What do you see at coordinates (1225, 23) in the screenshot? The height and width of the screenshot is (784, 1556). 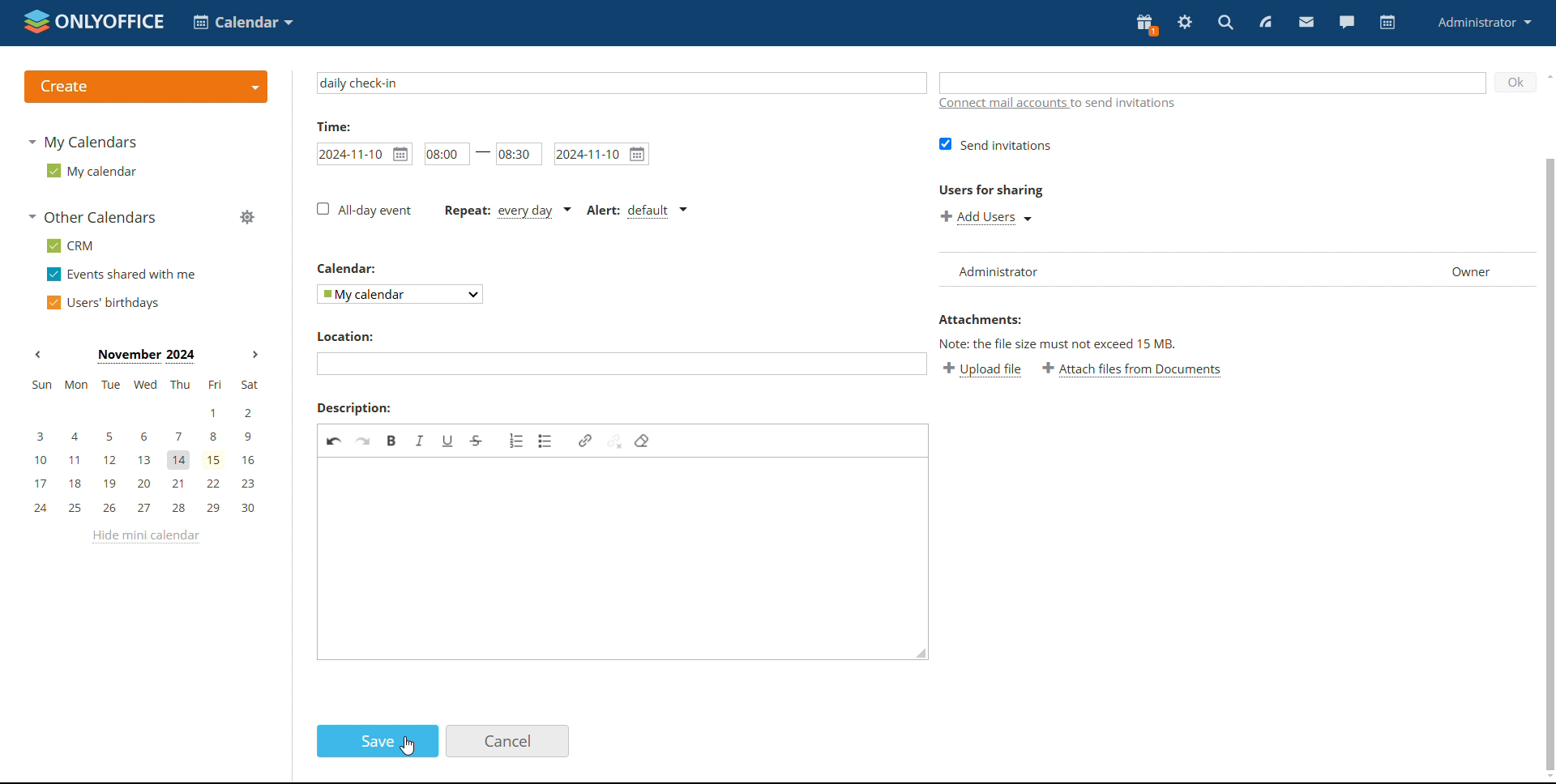 I see `search` at bounding box center [1225, 23].